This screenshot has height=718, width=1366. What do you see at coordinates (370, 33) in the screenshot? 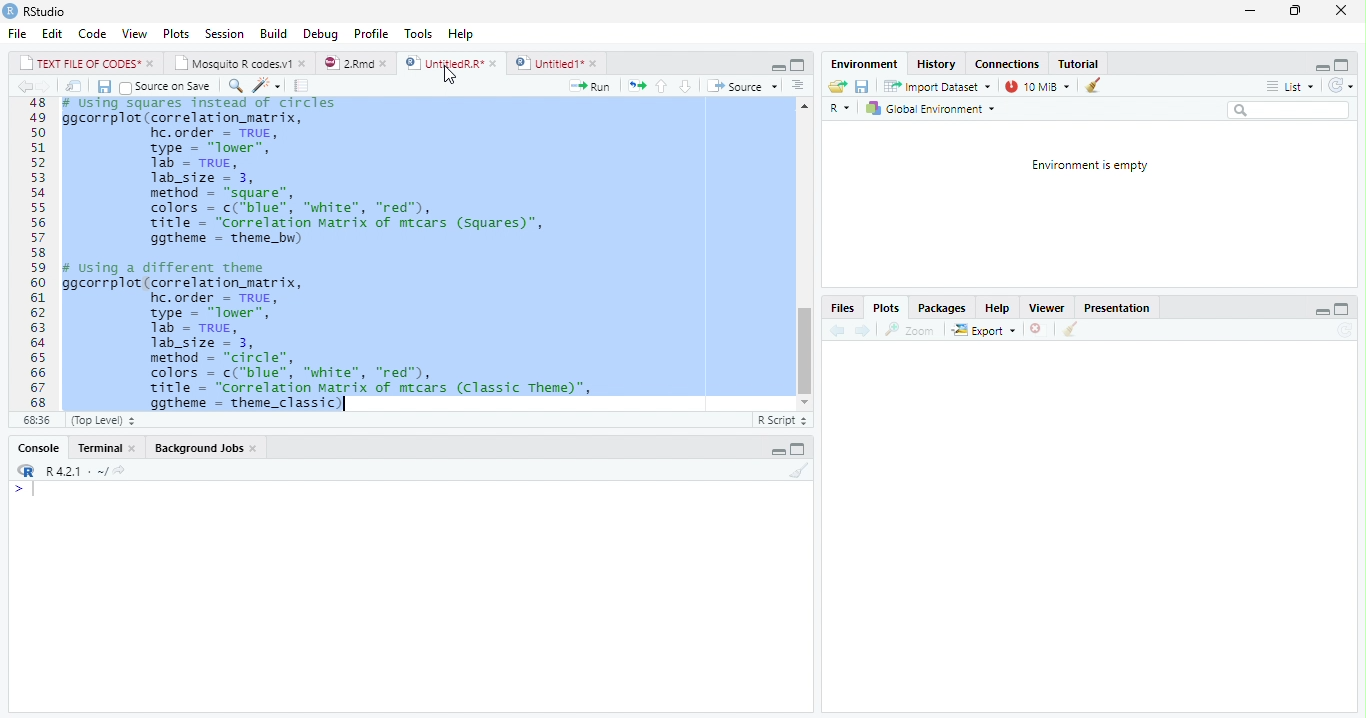
I see `Profile` at bounding box center [370, 33].